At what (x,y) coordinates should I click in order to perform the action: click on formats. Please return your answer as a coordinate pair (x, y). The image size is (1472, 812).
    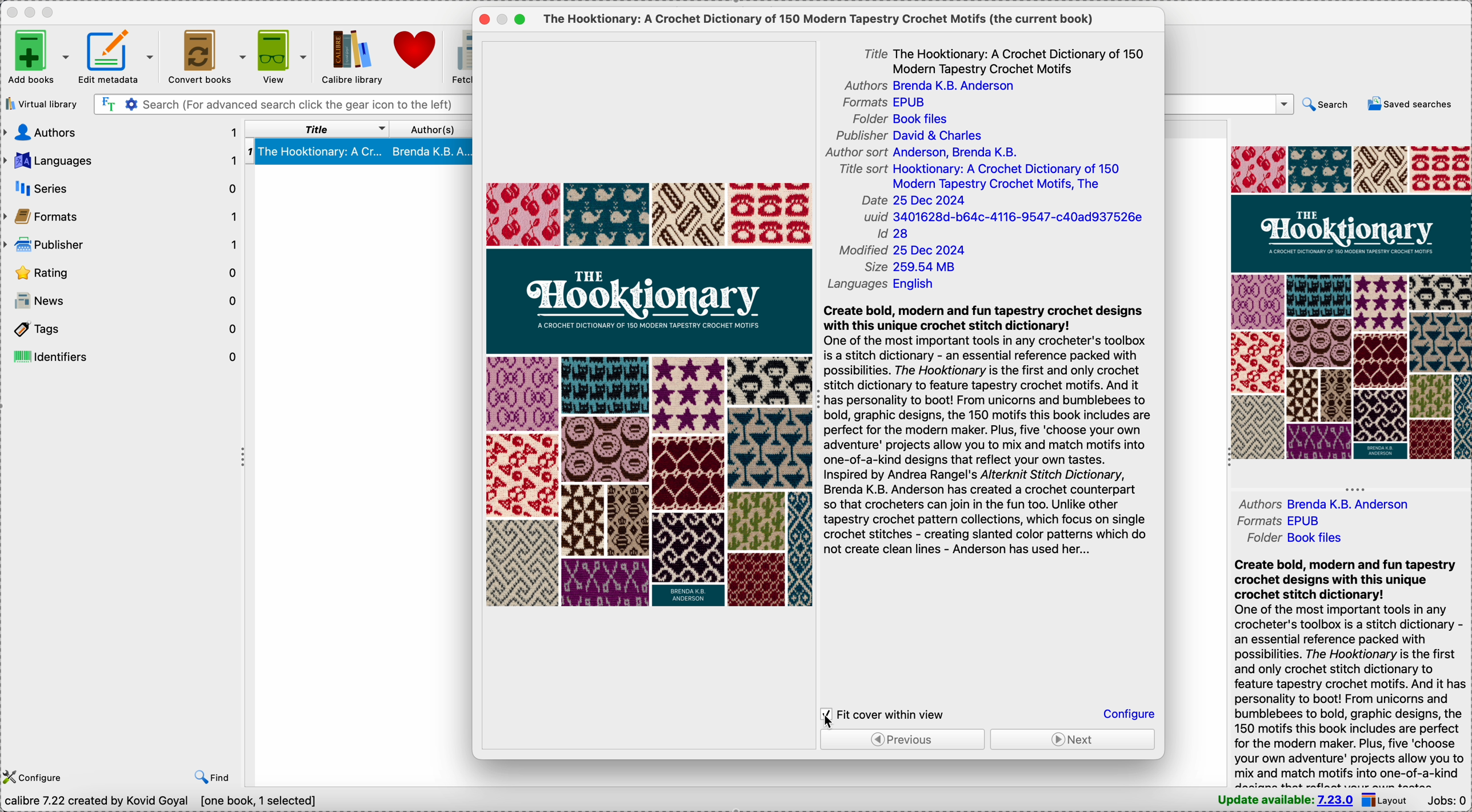
    Looking at the image, I should click on (1279, 523).